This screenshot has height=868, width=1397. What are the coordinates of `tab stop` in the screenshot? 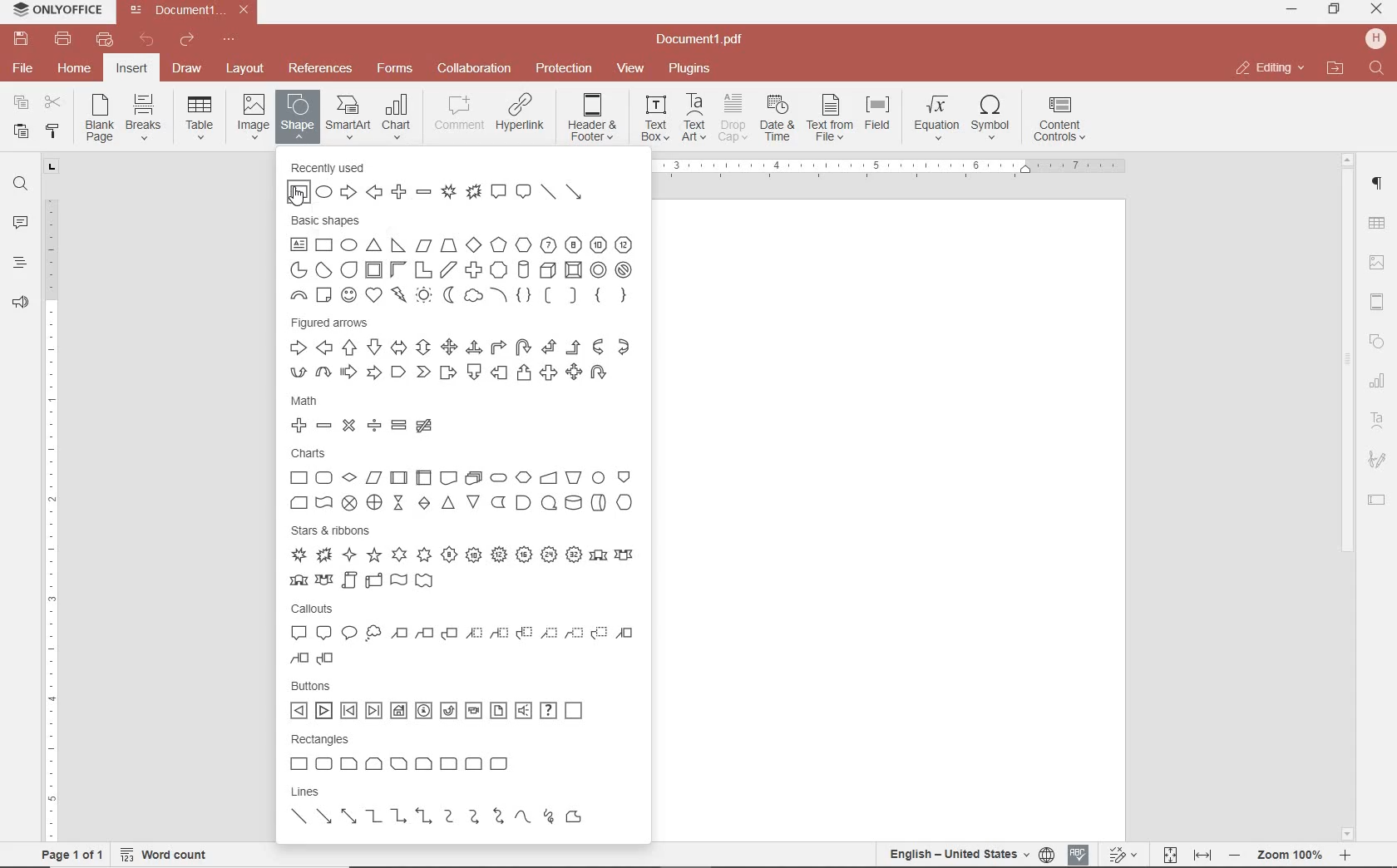 It's located at (52, 165).